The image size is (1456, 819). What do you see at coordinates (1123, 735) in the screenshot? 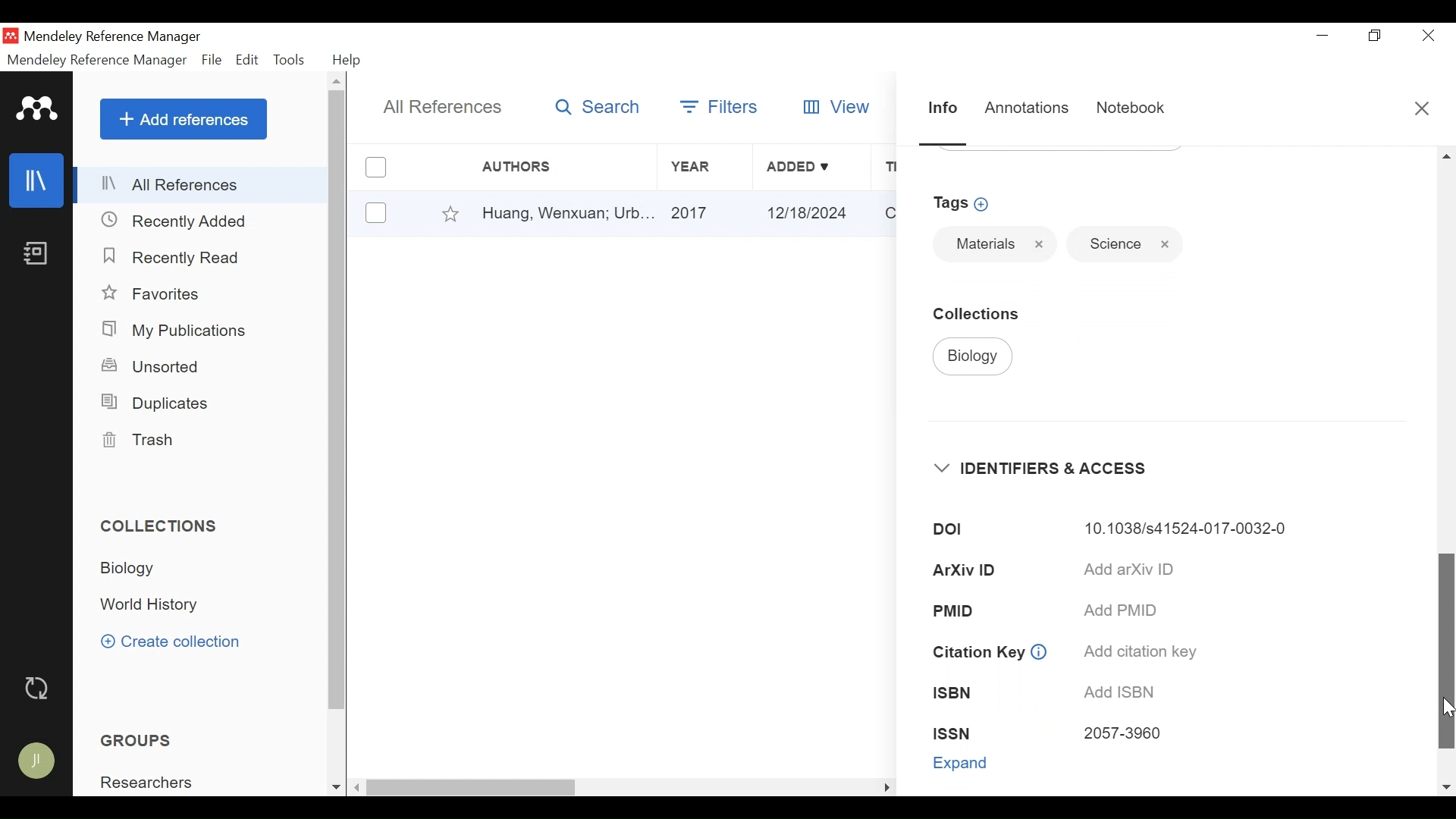
I see `2057-3960` at bounding box center [1123, 735].